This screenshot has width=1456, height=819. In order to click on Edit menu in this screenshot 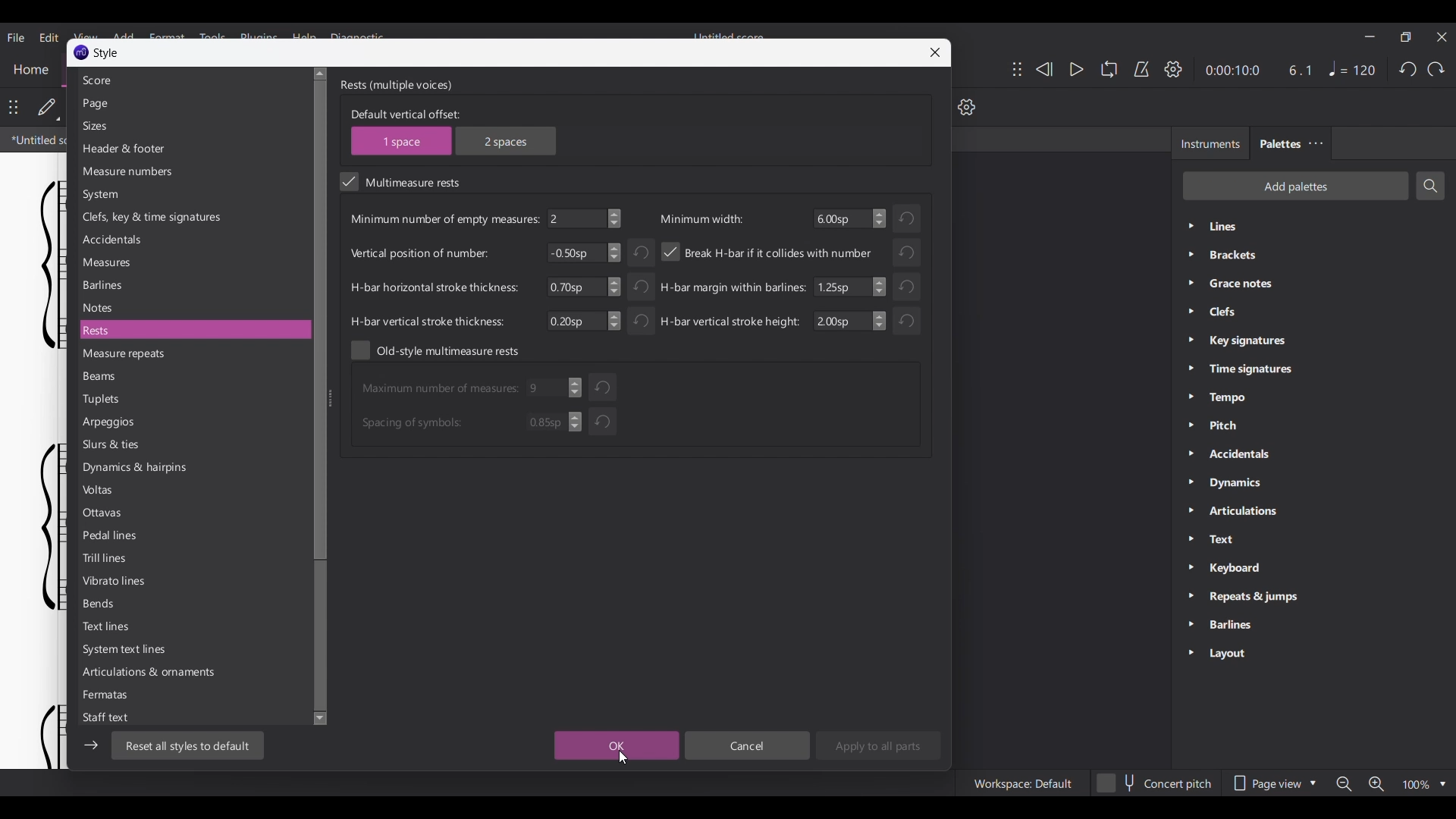, I will do `click(49, 37)`.